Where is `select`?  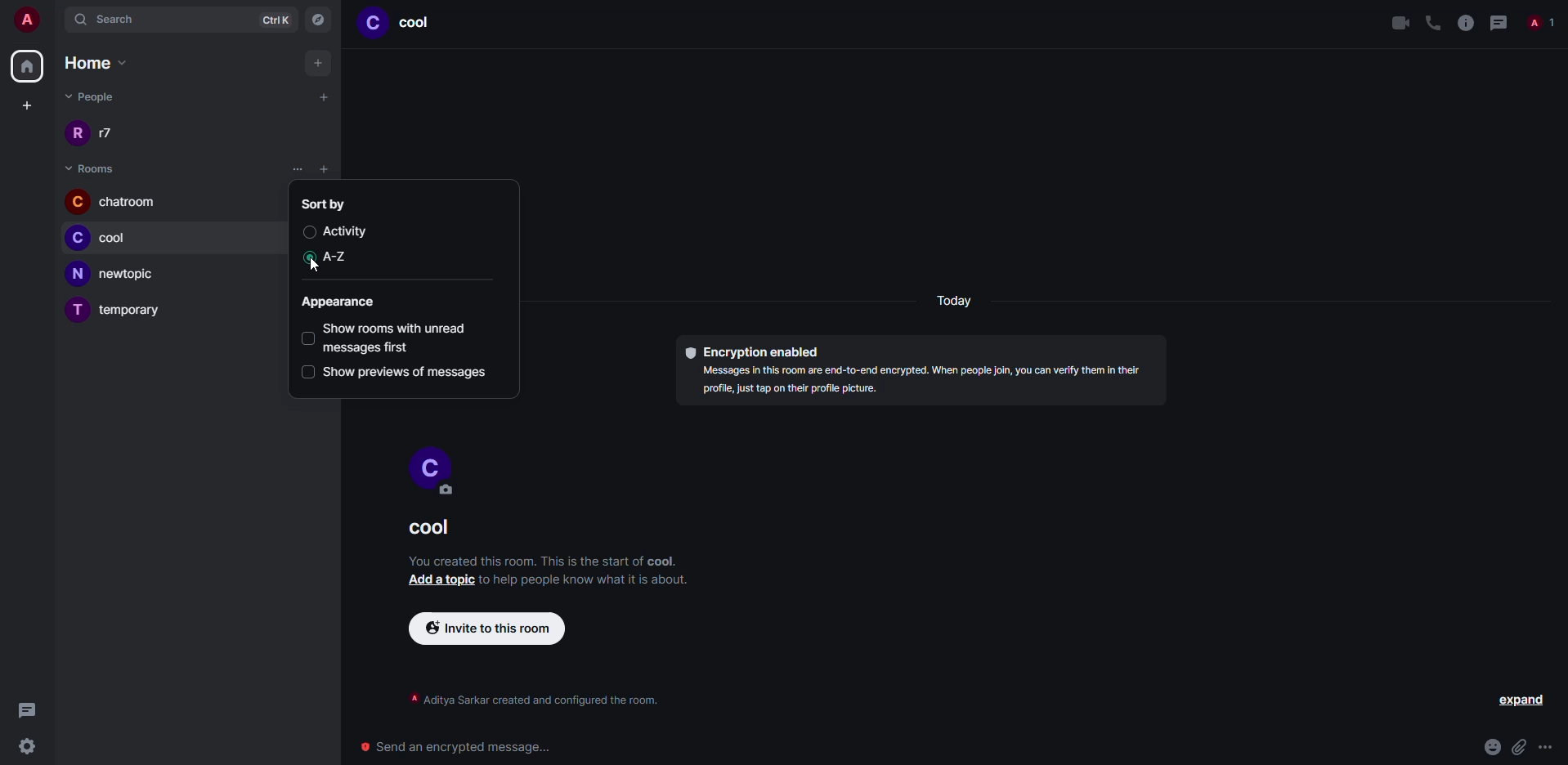 select is located at coordinates (305, 372).